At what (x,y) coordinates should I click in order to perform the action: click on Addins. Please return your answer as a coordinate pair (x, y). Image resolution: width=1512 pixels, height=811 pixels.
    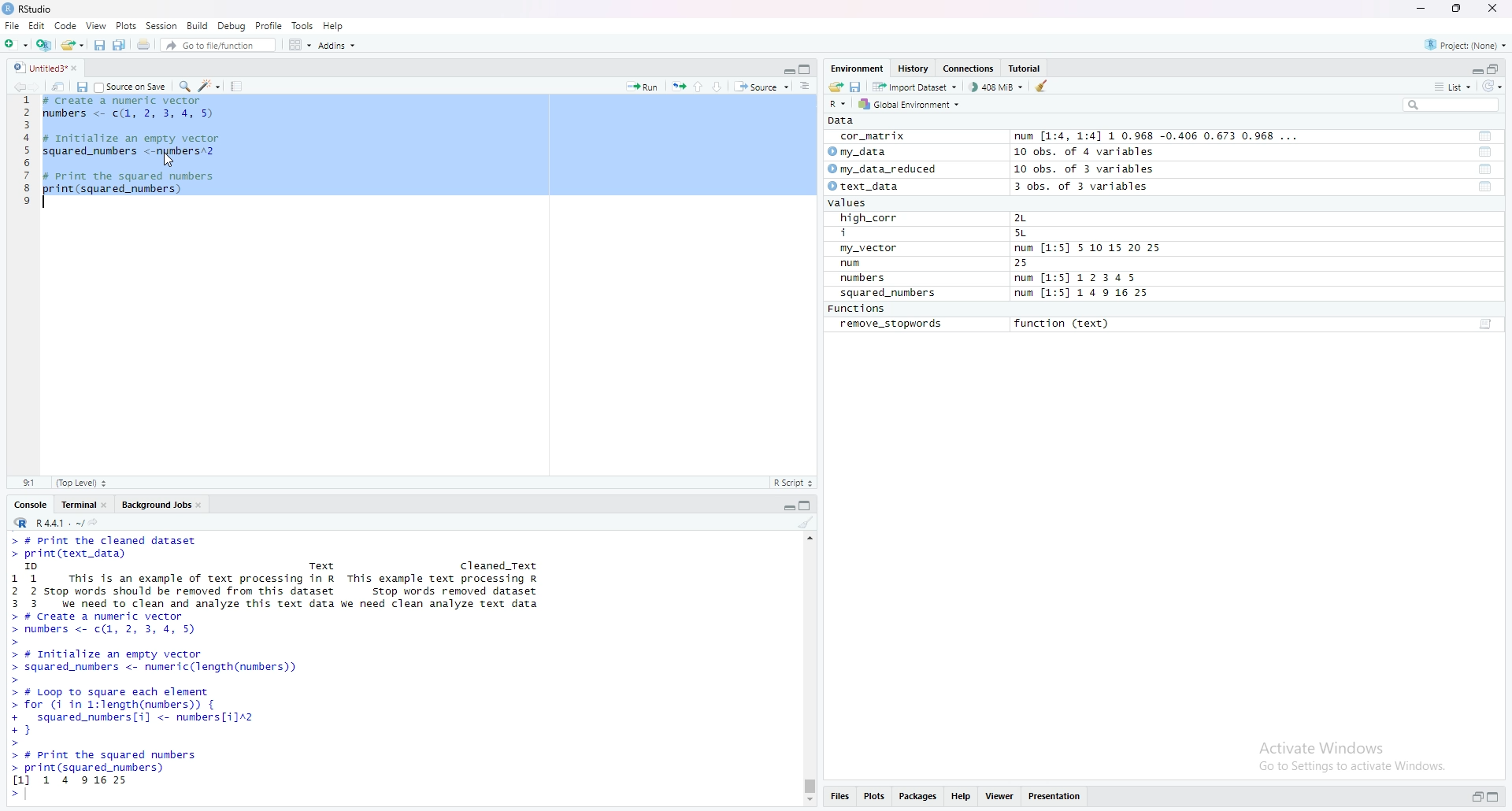
    Looking at the image, I should click on (336, 45).